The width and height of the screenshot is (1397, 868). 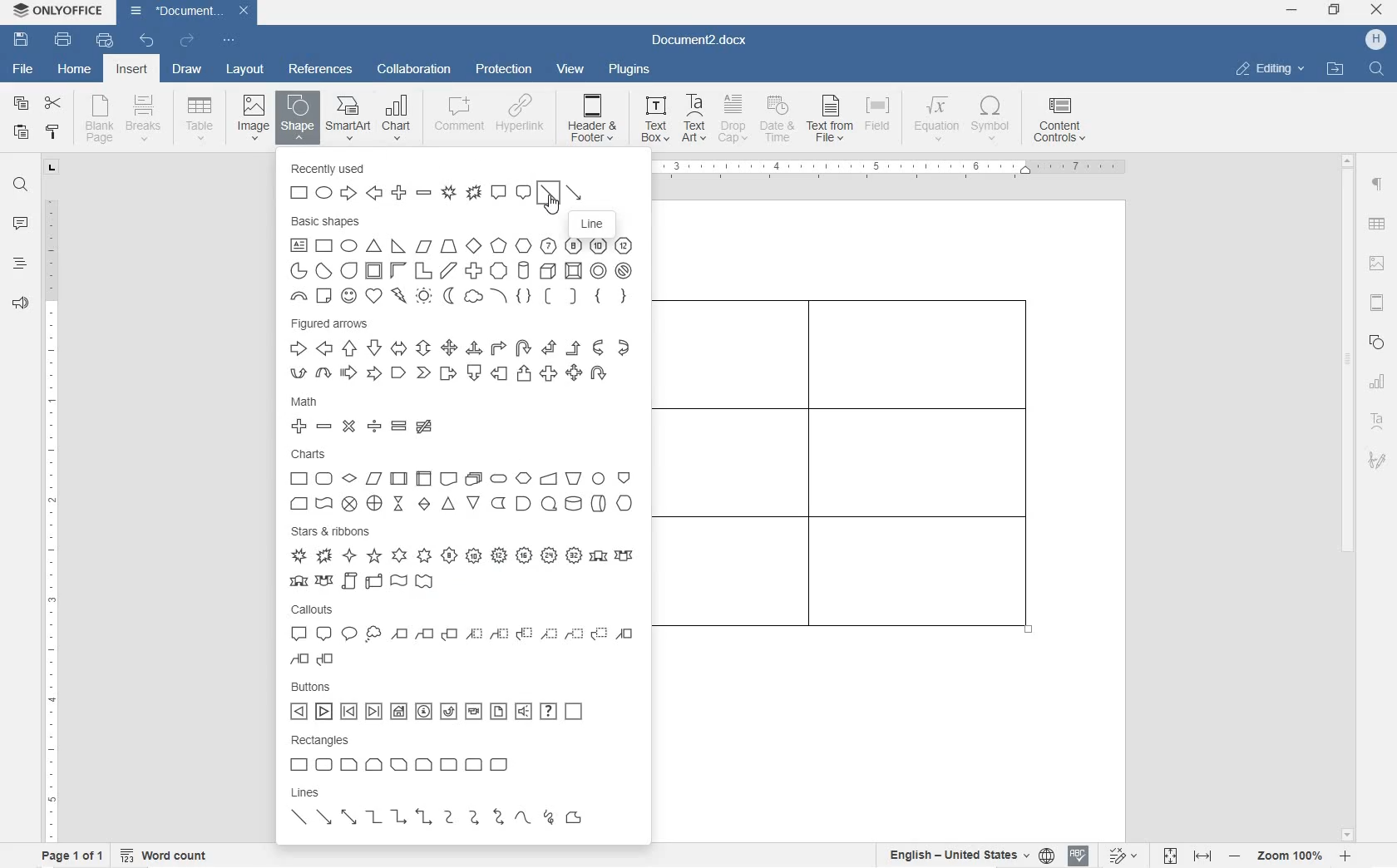 What do you see at coordinates (466, 481) in the screenshot?
I see `charts` at bounding box center [466, 481].